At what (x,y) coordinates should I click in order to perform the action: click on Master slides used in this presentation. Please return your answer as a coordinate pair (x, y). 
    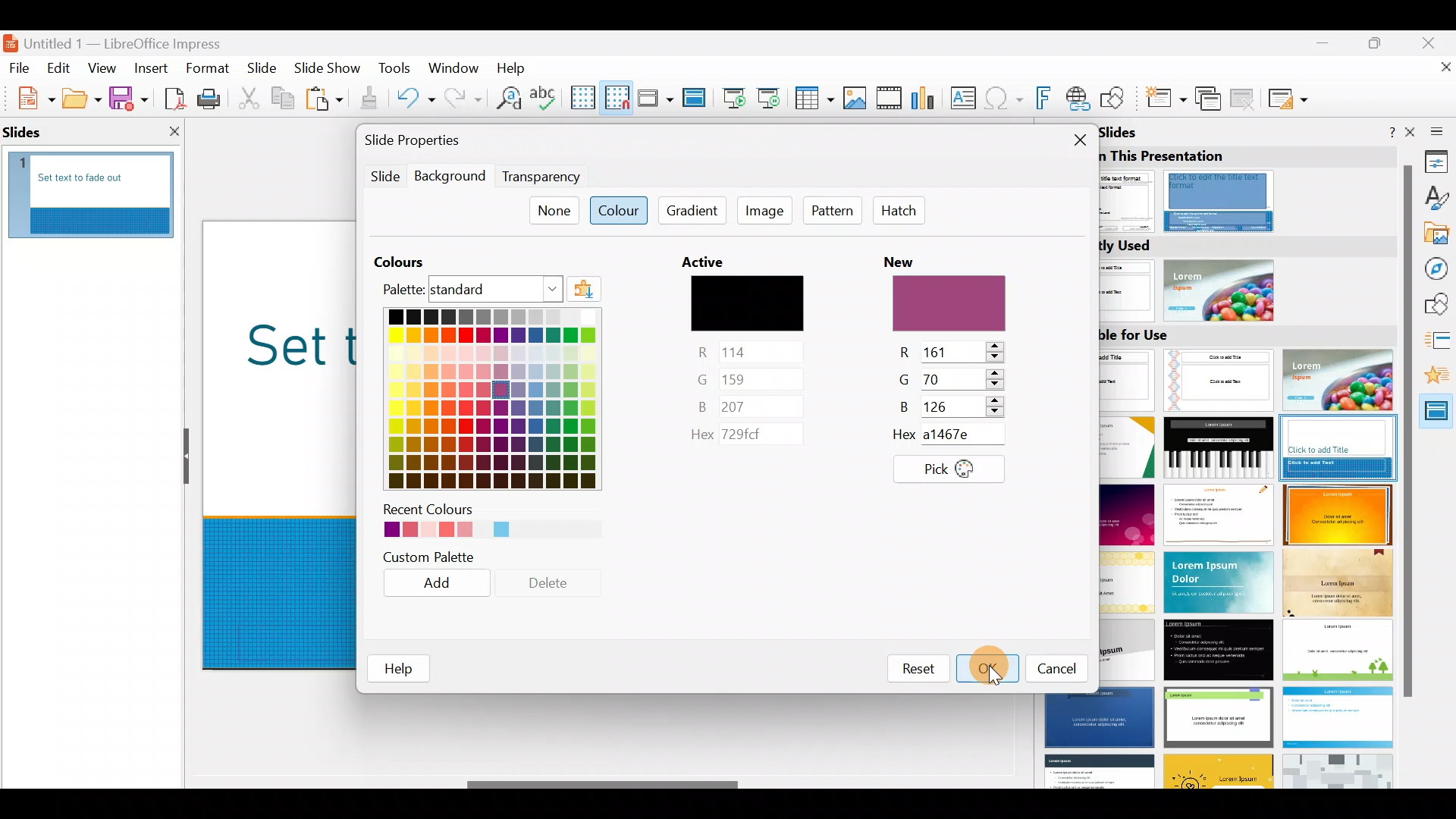
    Looking at the image, I should click on (1245, 178).